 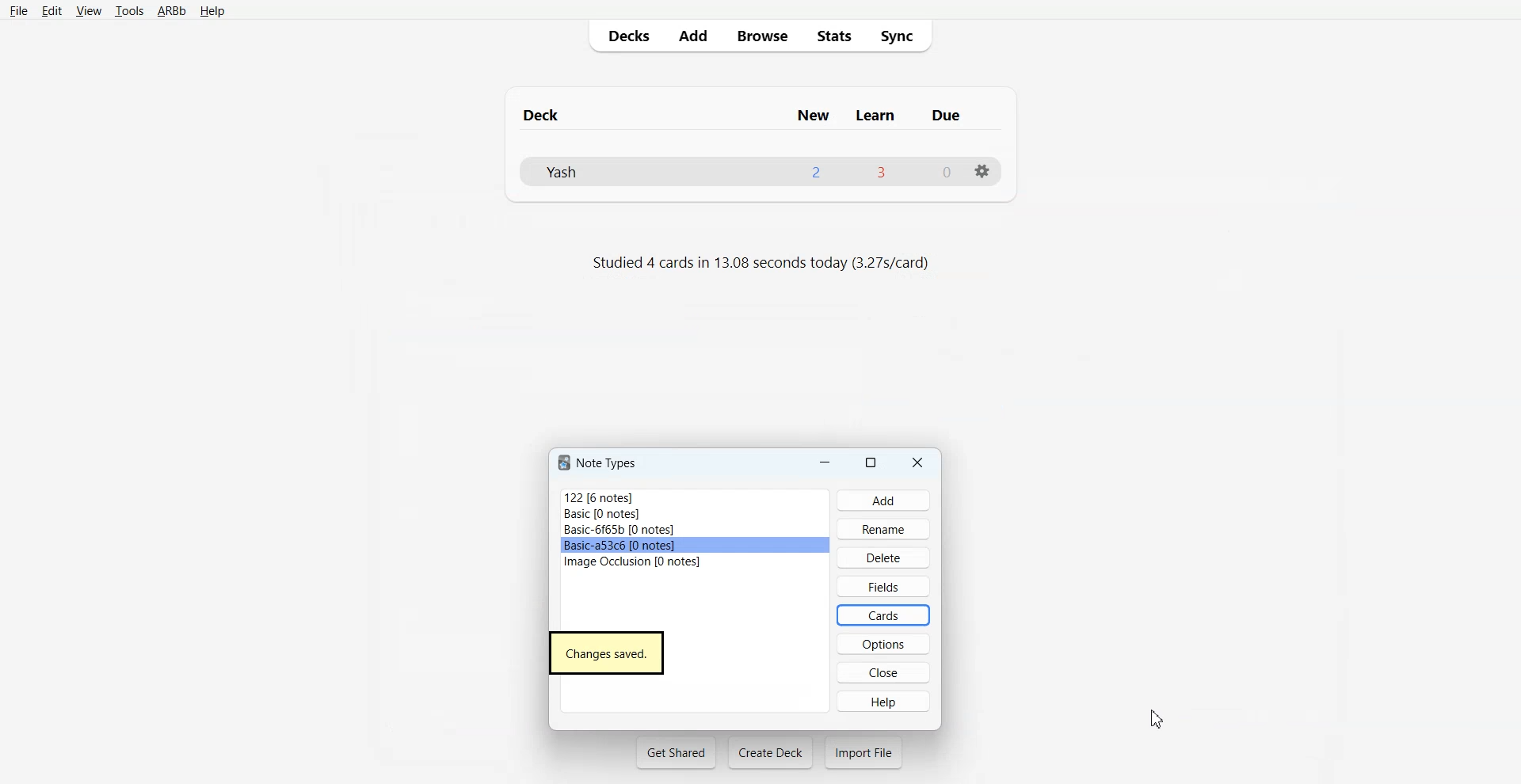 I want to click on Get Shared, so click(x=677, y=752).